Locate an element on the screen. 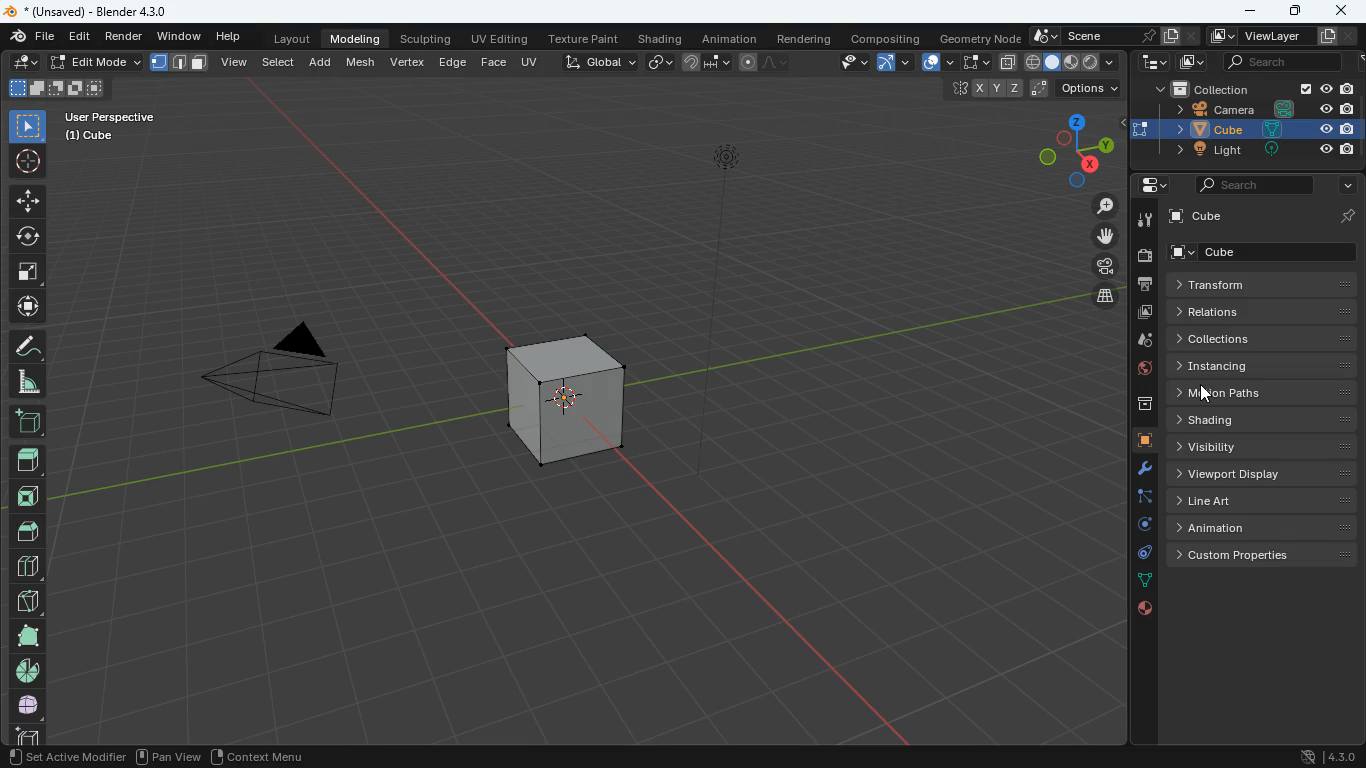 This screenshot has height=768, width=1366. animation is located at coordinates (1264, 528).